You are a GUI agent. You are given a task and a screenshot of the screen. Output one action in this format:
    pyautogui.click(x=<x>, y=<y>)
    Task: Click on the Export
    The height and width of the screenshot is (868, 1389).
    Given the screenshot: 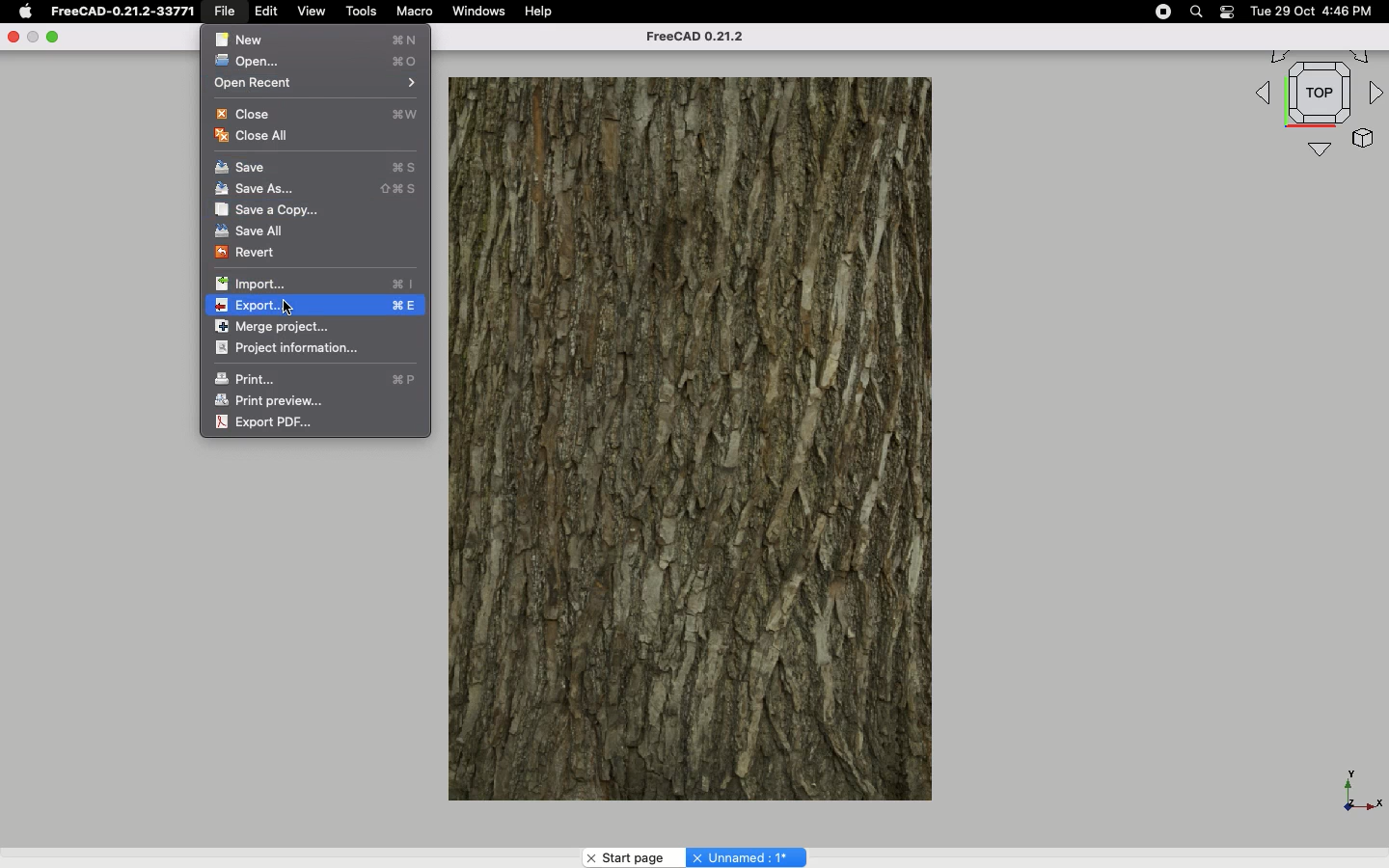 What is the action you would take?
    pyautogui.click(x=310, y=305)
    